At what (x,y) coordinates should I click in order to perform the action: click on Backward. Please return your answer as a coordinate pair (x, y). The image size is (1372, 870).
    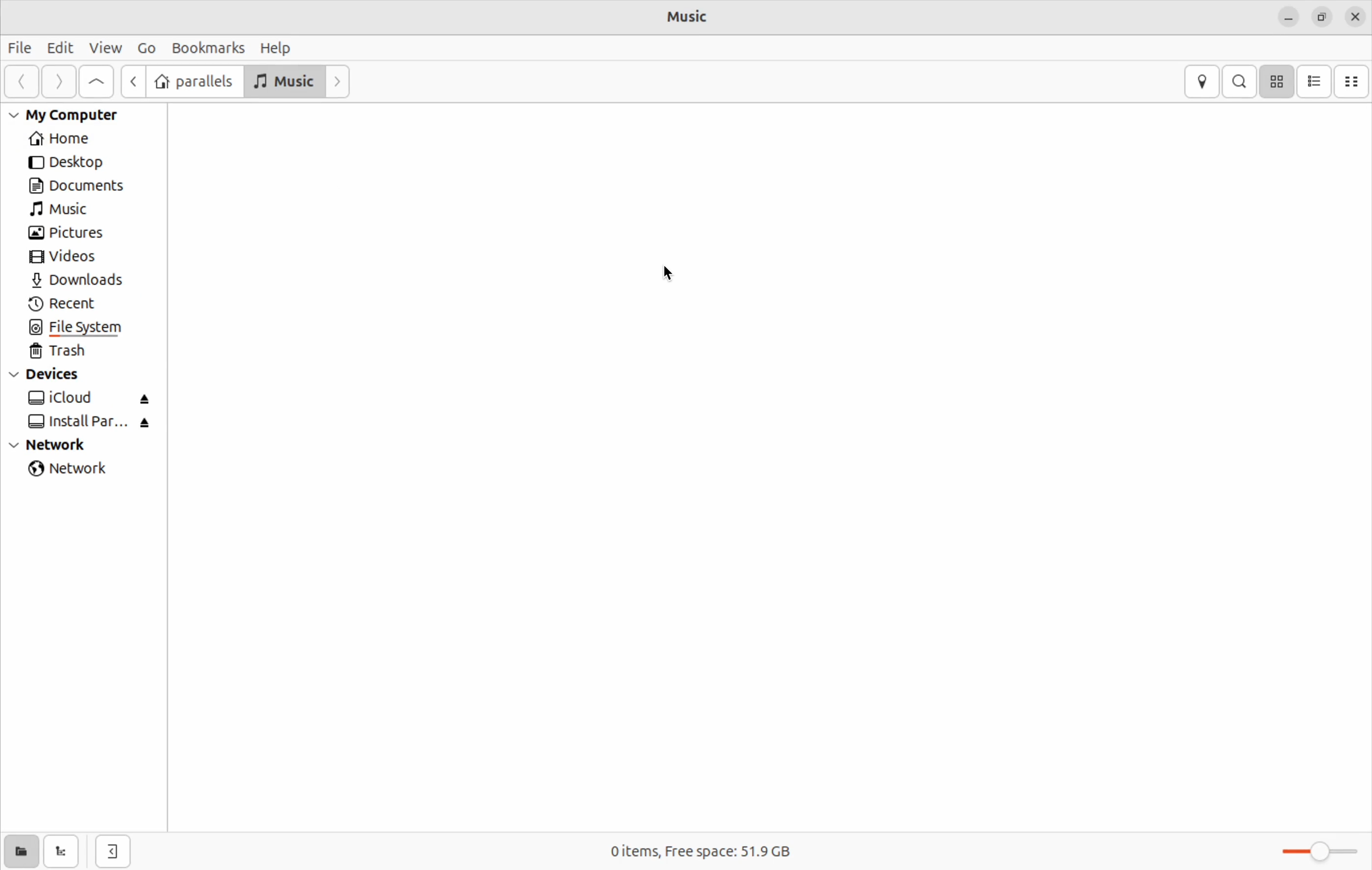
    Looking at the image, I should click on (130, 81).